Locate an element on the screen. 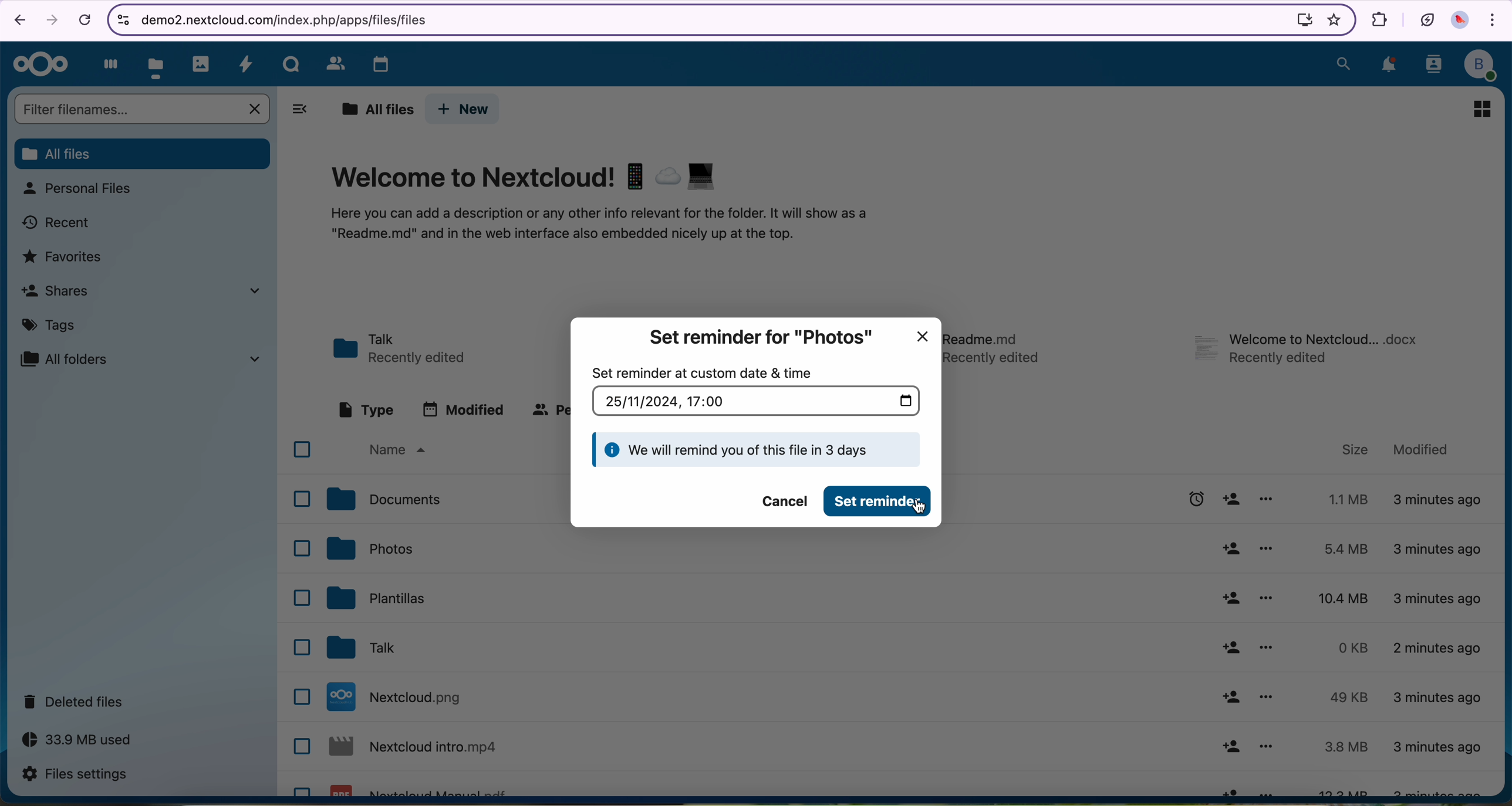 This screenshot has height=806, width=1512. all folders is located at coordinates (146, 358).